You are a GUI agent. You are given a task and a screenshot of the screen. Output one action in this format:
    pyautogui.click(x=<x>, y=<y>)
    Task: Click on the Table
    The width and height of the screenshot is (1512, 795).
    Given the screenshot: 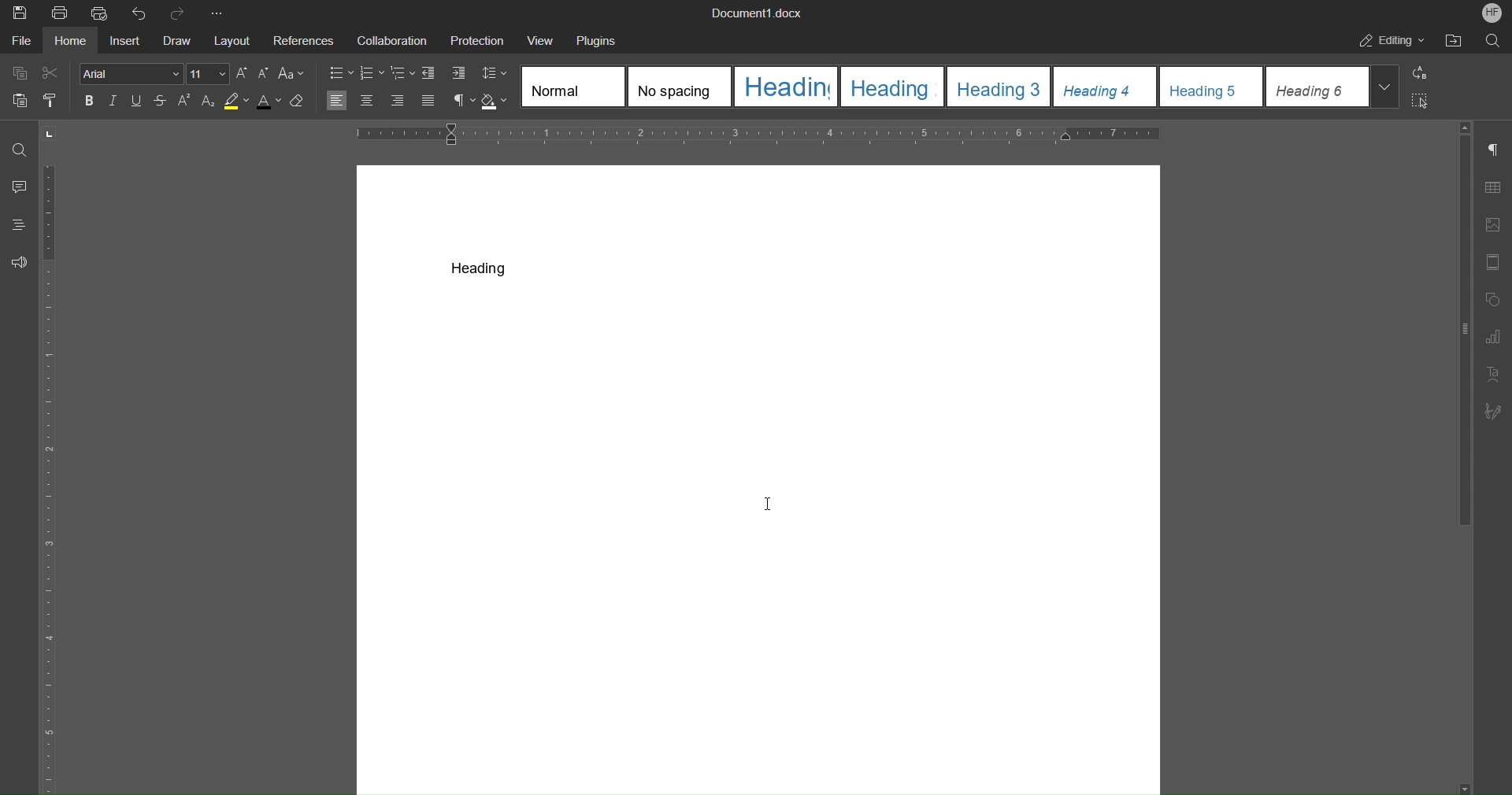 What is the action you would take?
    pyautogui.click(x=1492, y=189)
    